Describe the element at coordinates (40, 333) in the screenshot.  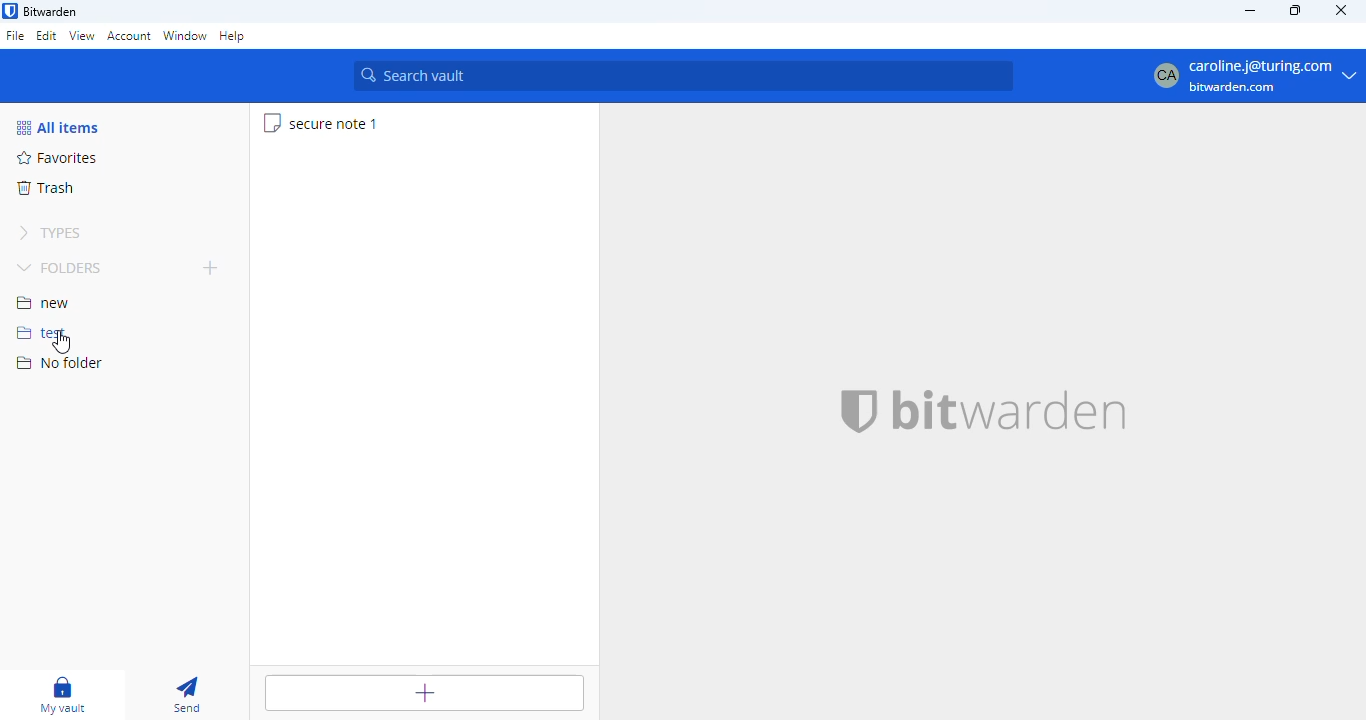
I see `test` at that location.